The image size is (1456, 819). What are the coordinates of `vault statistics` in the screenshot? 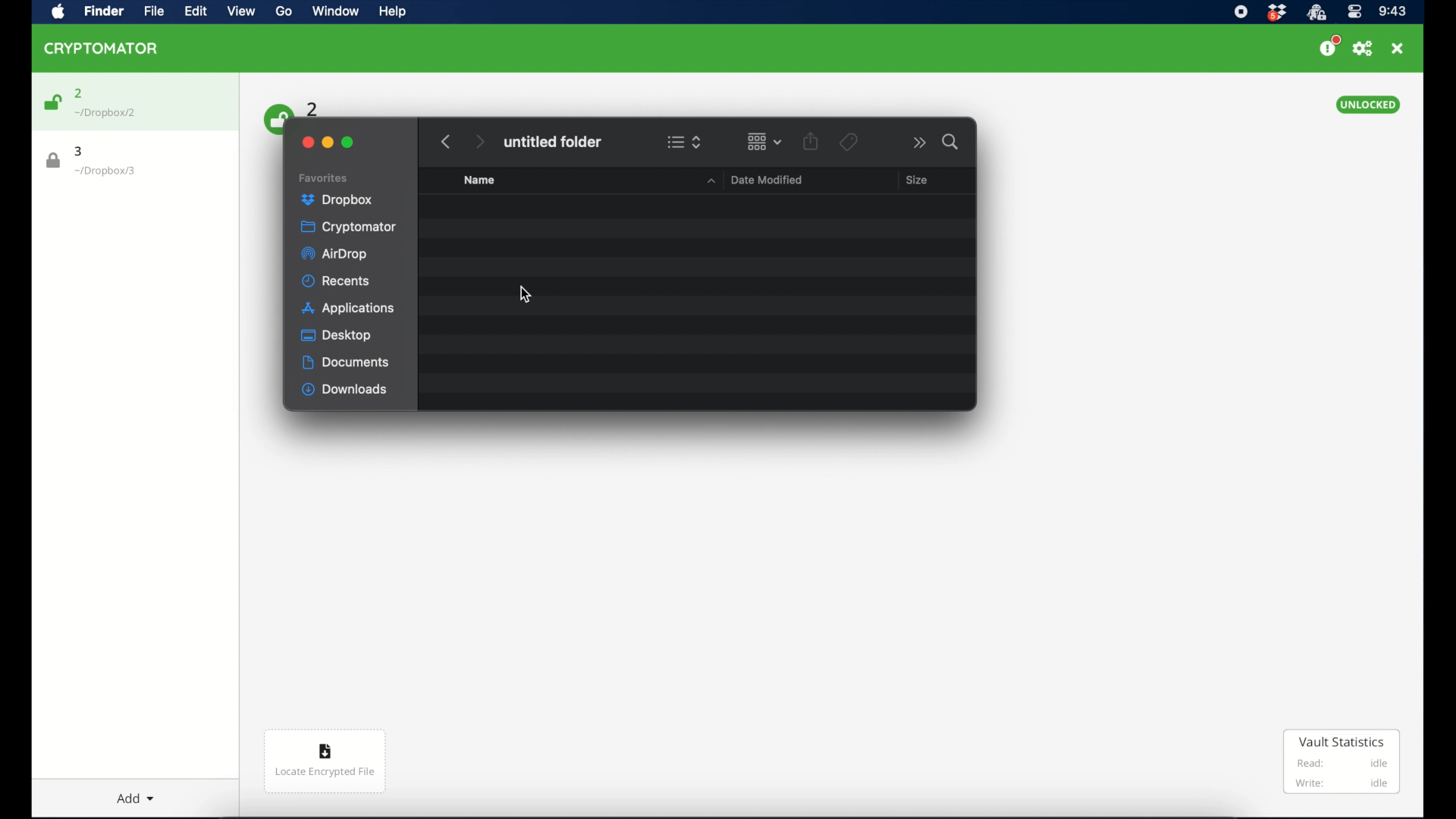 It's located at (1342, 763).